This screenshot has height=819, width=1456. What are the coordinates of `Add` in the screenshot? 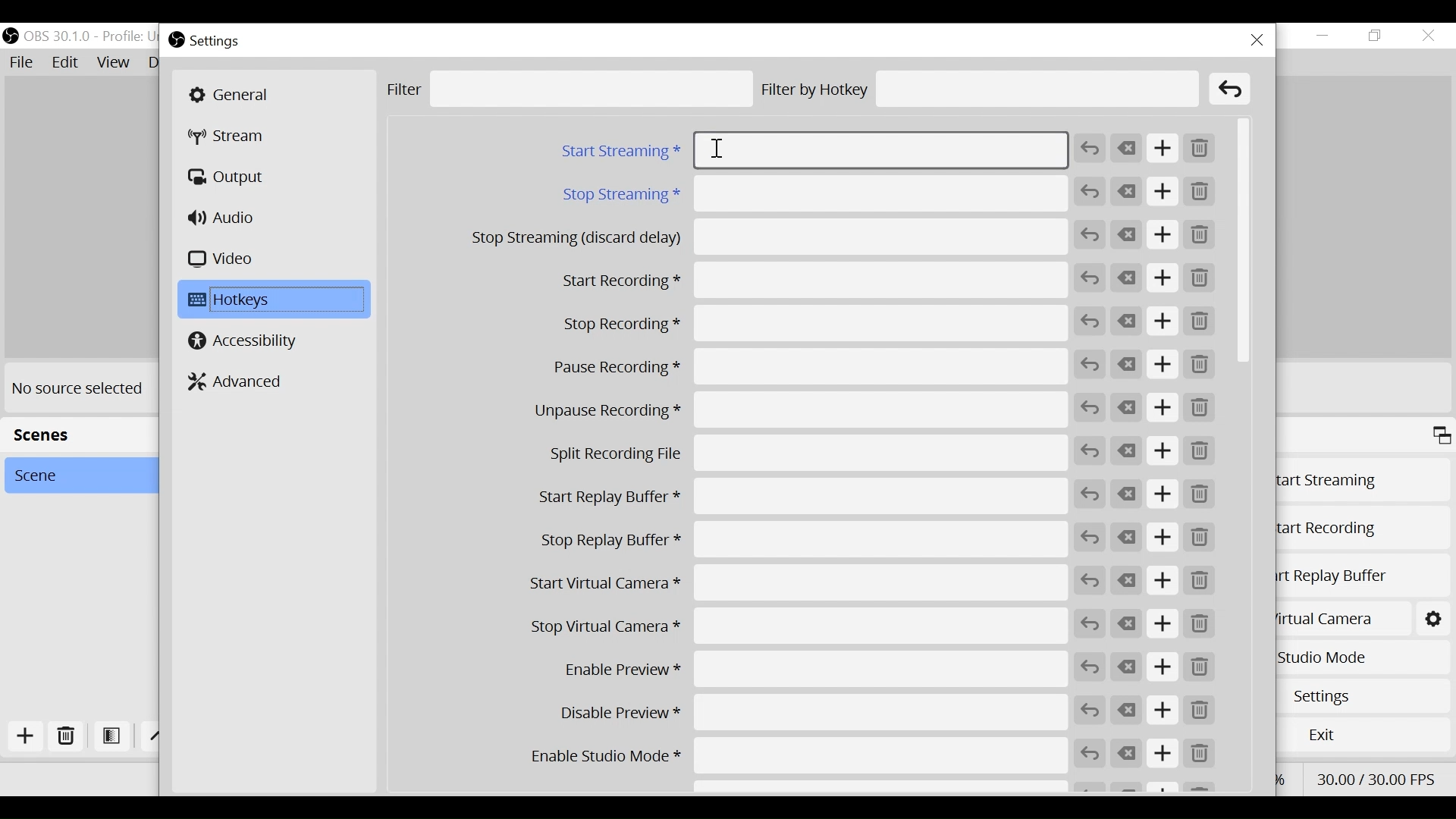 It's located at (1164, 193).